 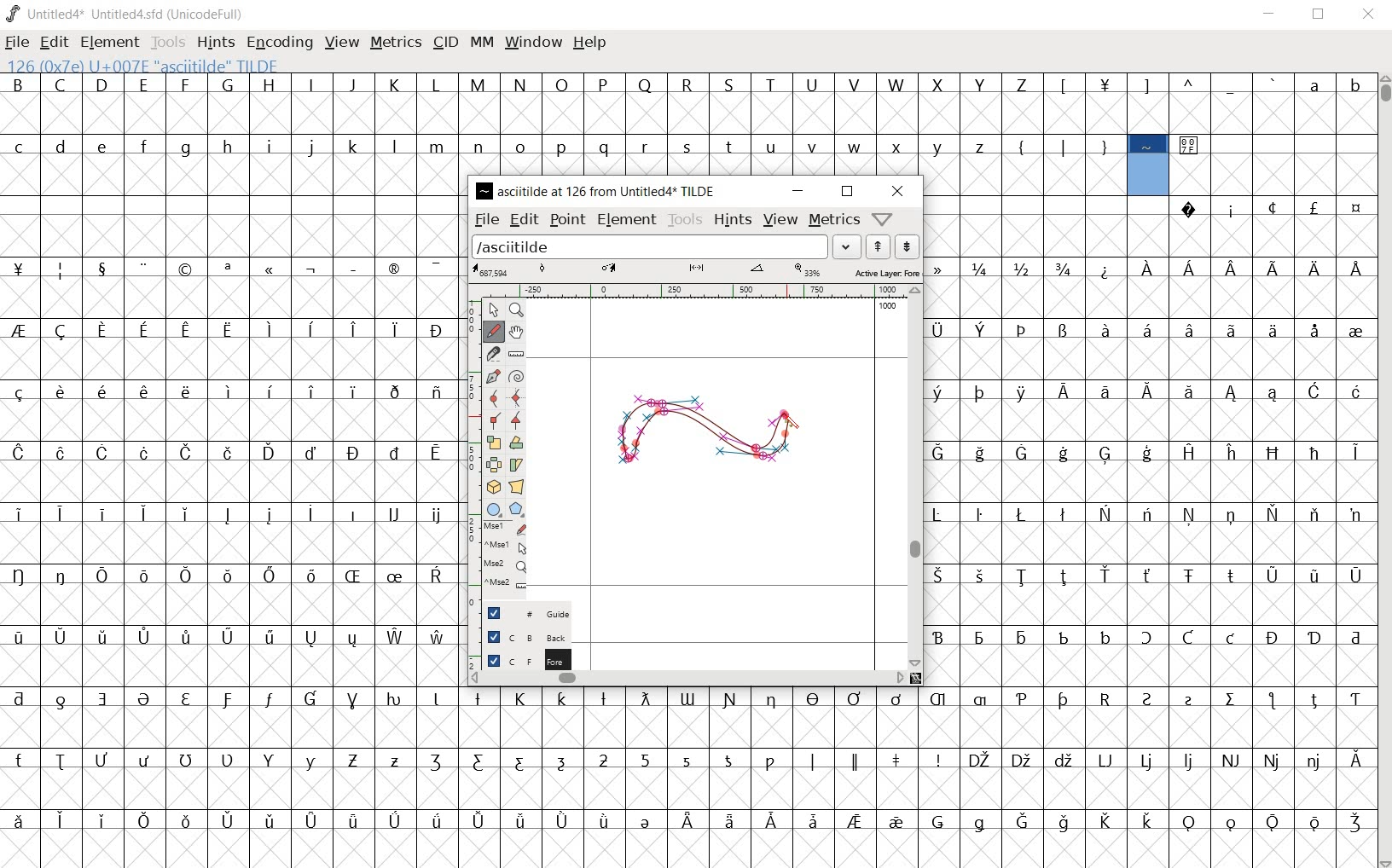 What do you see at coordinates (1368, 14) in the screenshot?
I see `CLOSE` at bounding box center [1368, 14].